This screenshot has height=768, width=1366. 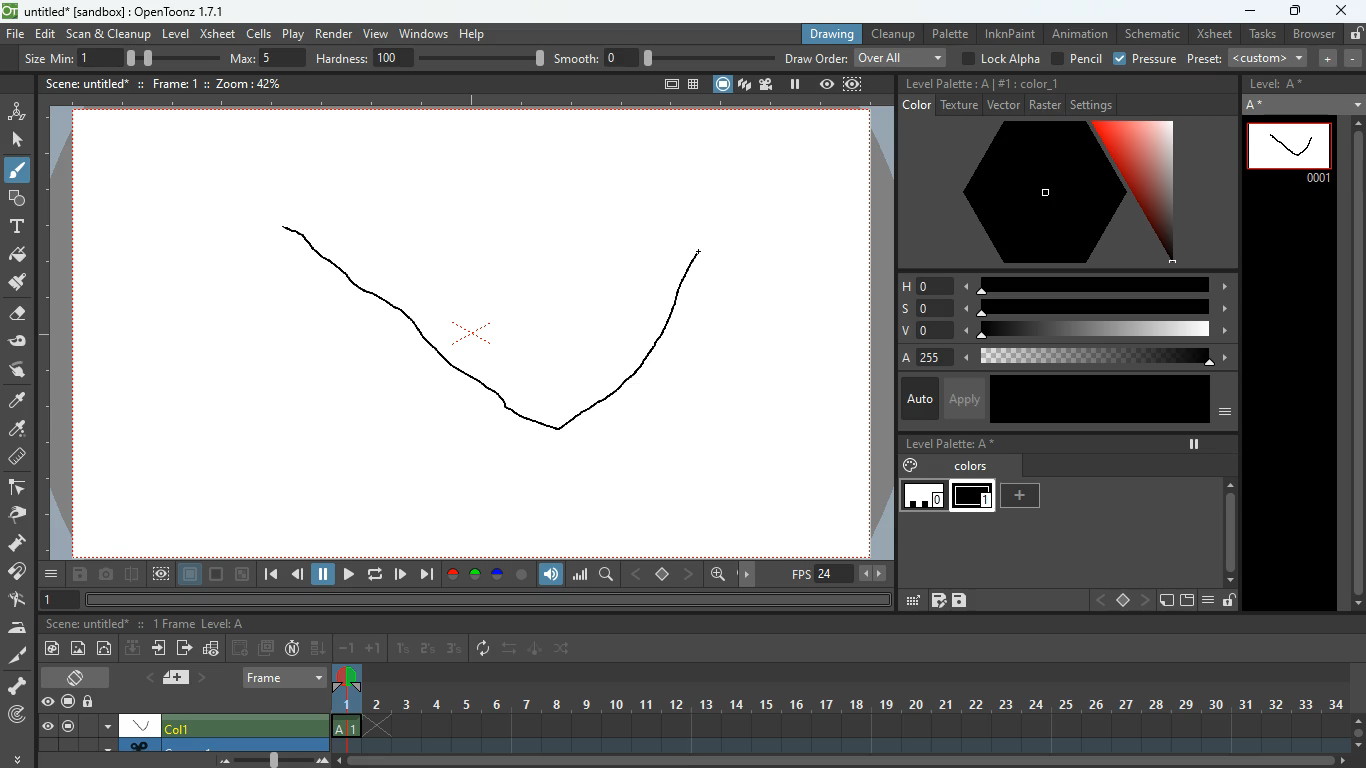 What do you see at coordinates (377, 574) in the screenshot?
I see `rewind` at bounding box center [377, 574].